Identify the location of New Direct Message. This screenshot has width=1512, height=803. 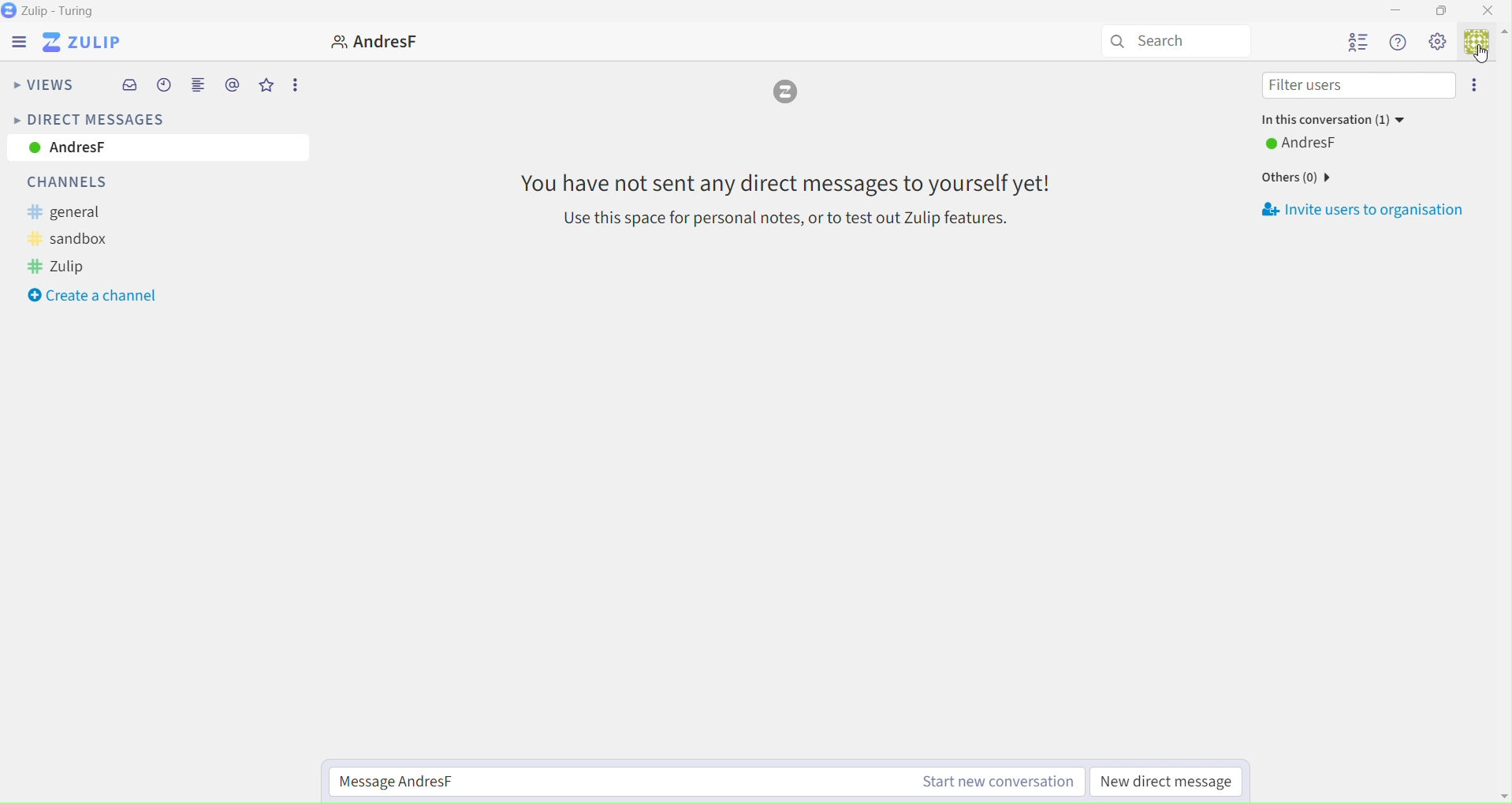
(1170, 782).